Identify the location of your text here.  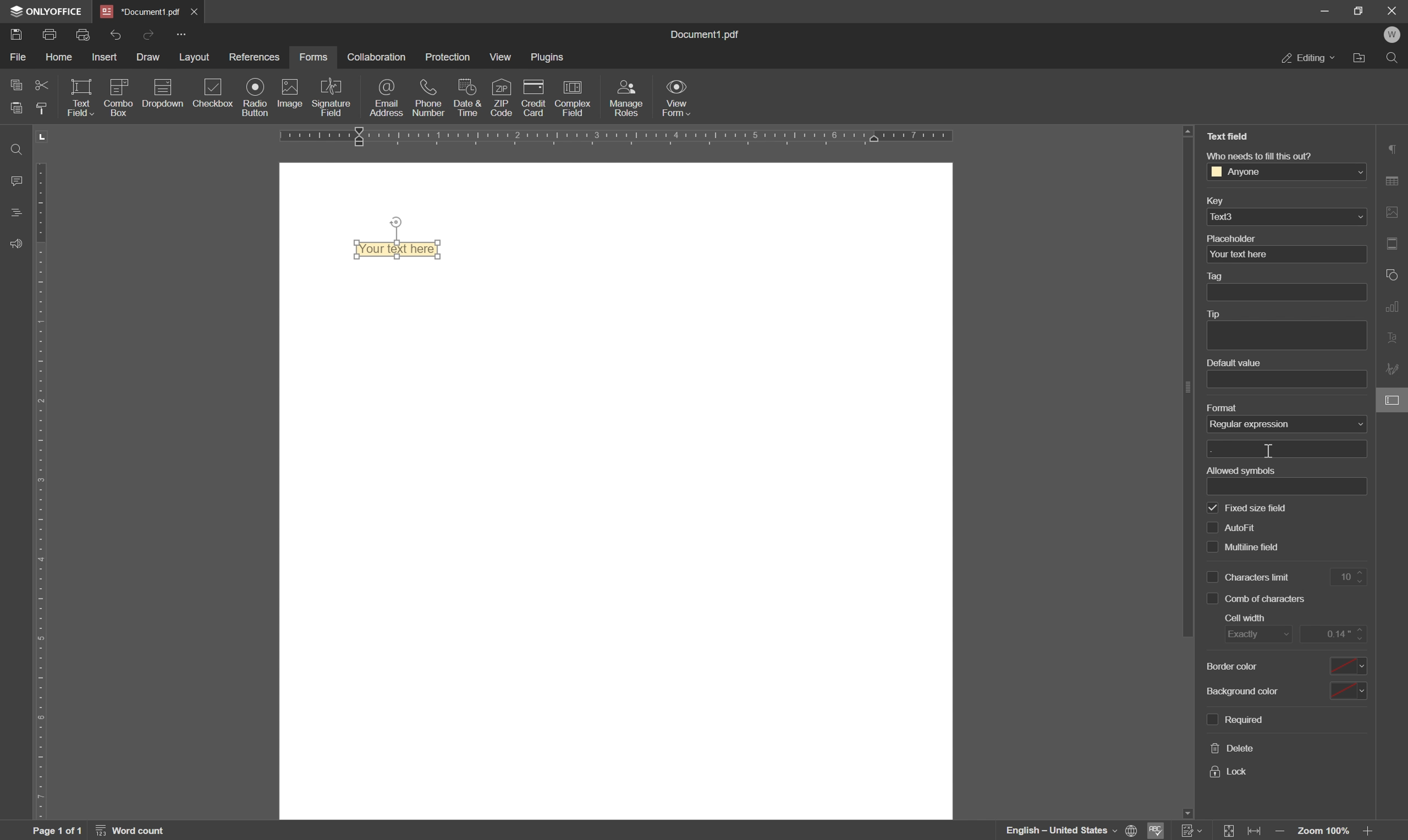
(1238, 255).